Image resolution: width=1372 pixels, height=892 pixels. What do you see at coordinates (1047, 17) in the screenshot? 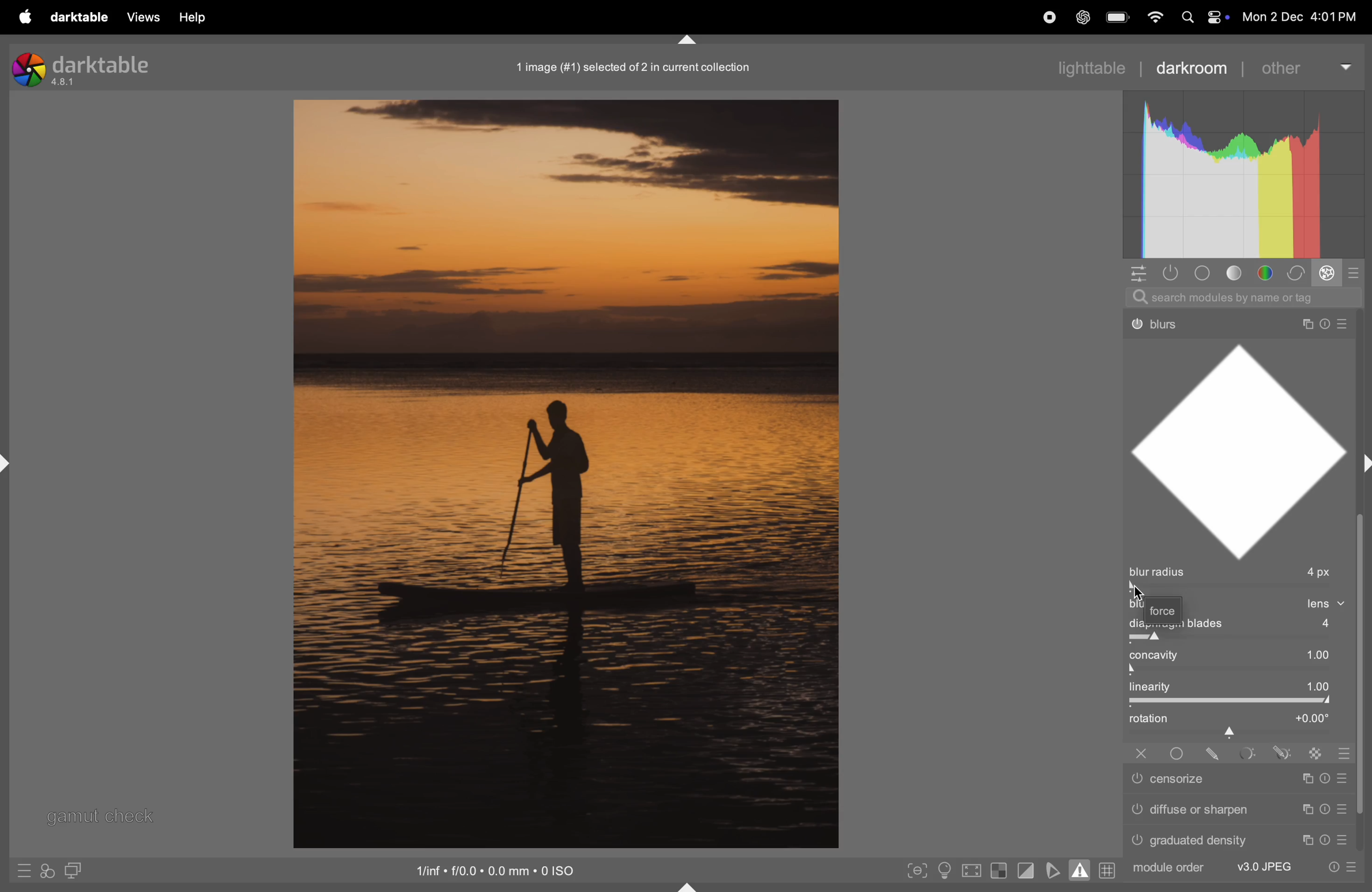
I see `record` at bounding box center [1047, 17].